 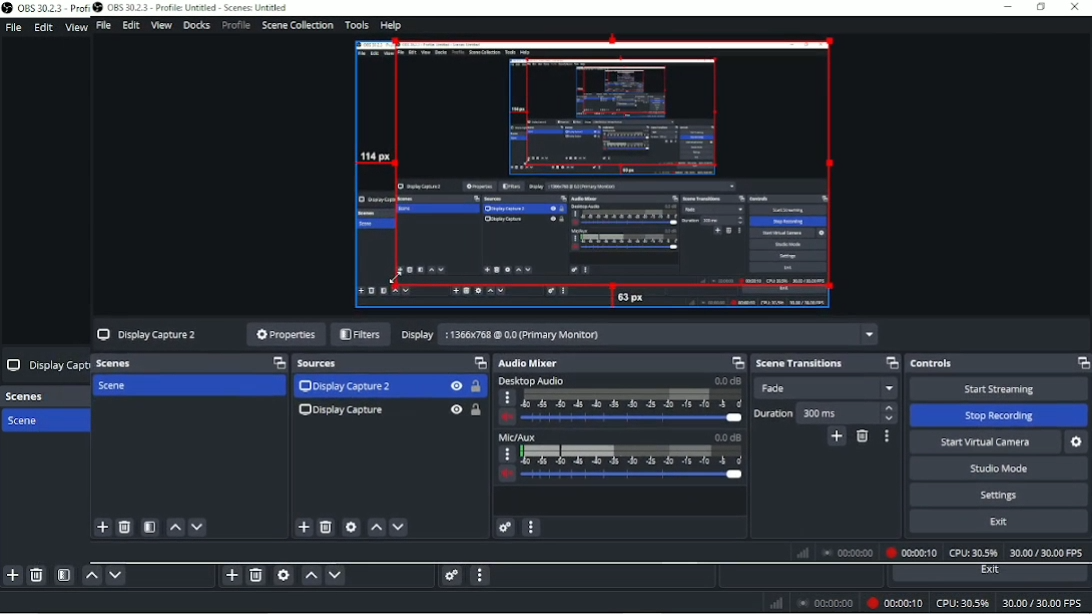 What do you see at coordinates (336, 576) in the screenshot?
I see `Move source(s) down` at bounding box center [336, 576].